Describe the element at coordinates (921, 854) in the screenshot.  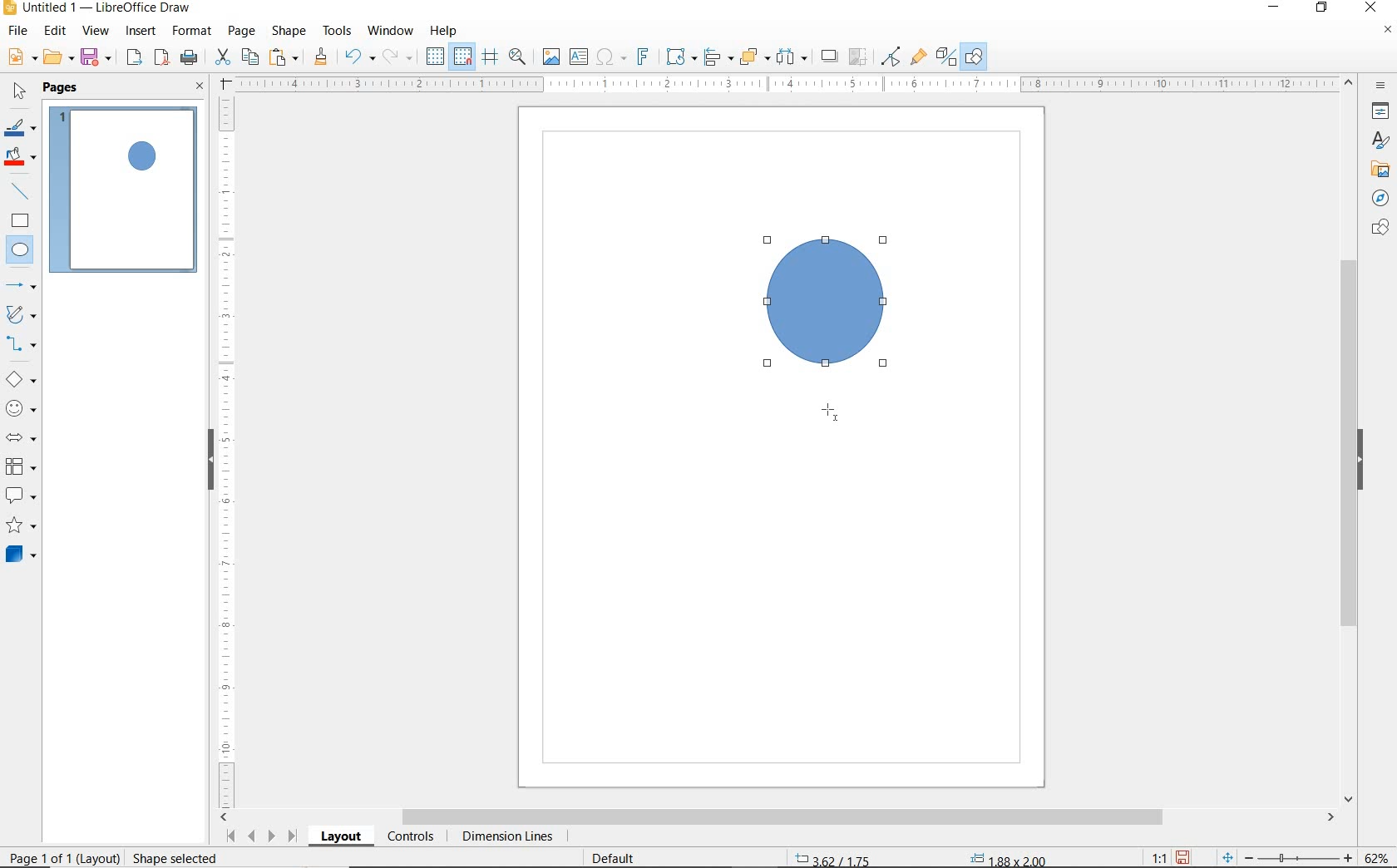
I see `STANDARD SELECTION` at that location.